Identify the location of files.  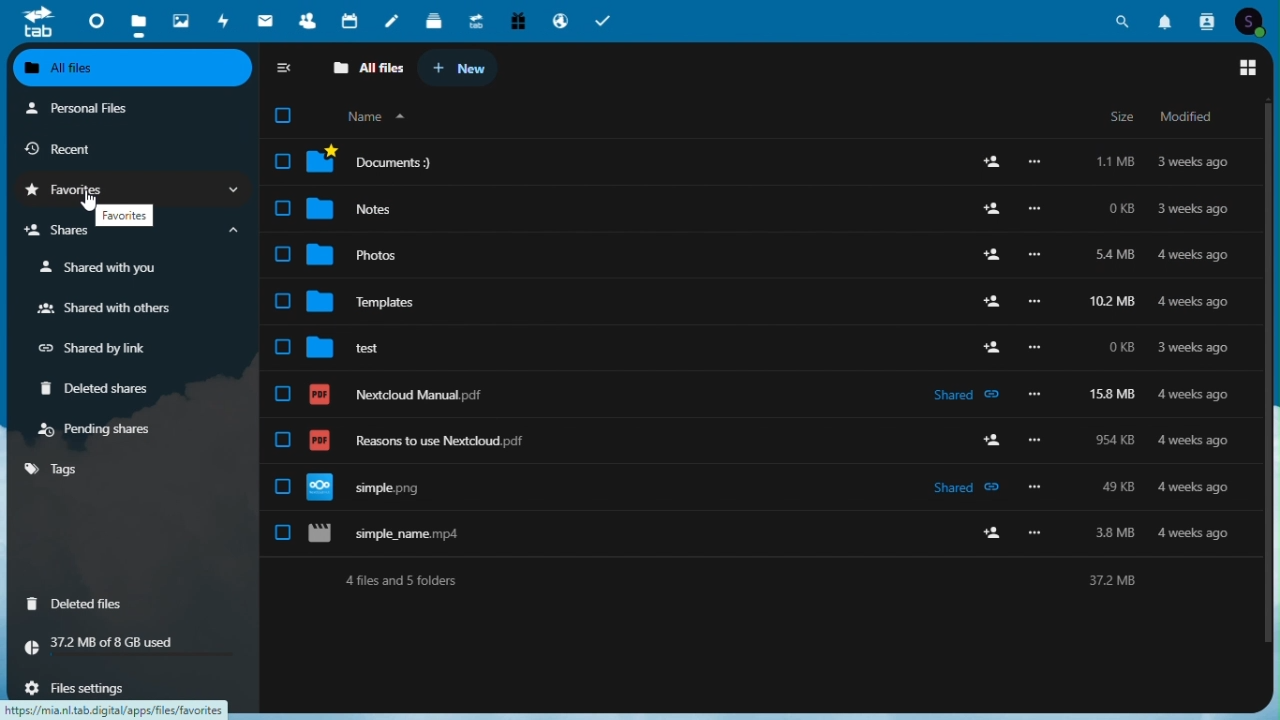
(139, 19).